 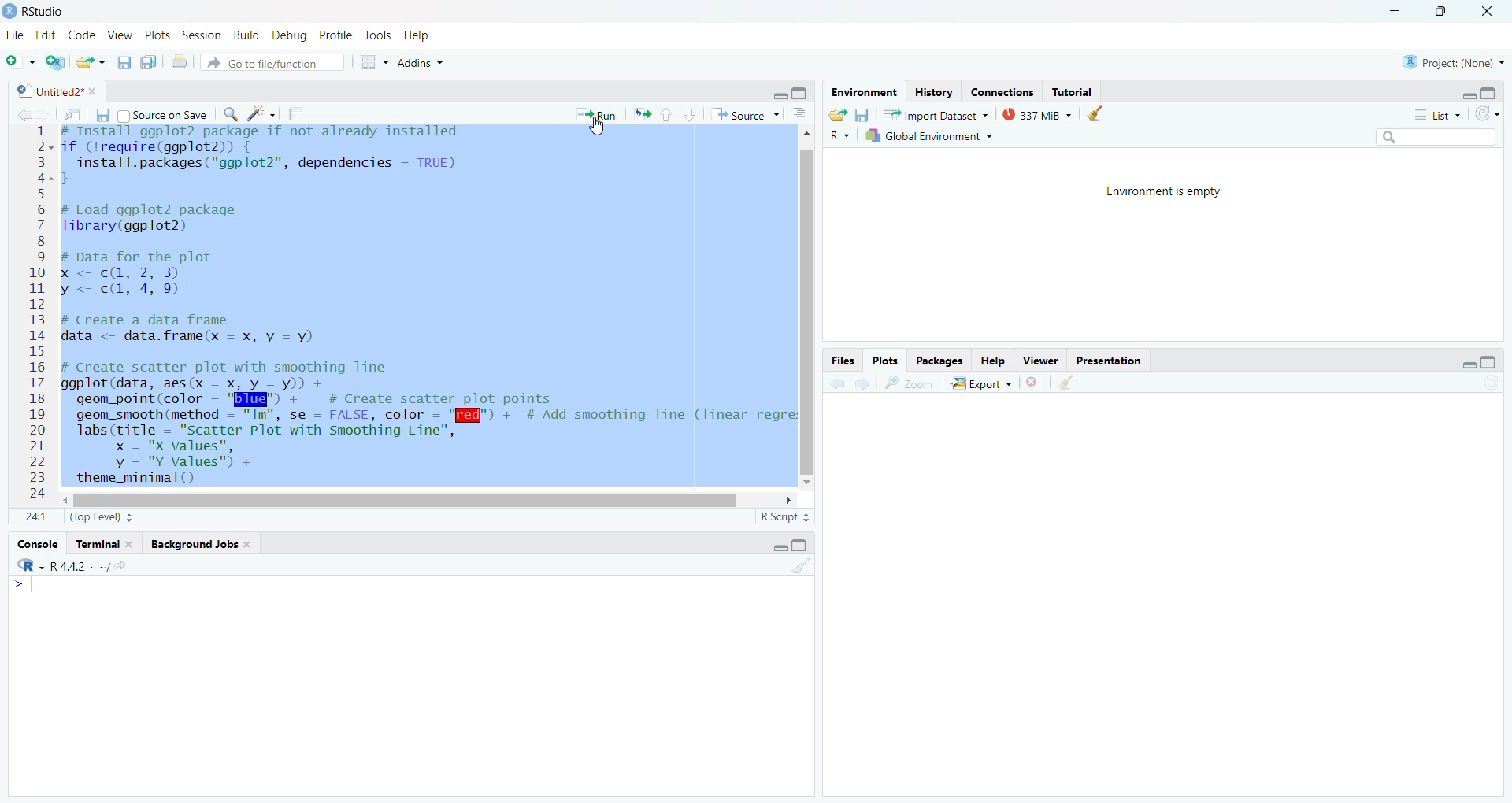 I want to click on hide console, so click(x=802, y=544).